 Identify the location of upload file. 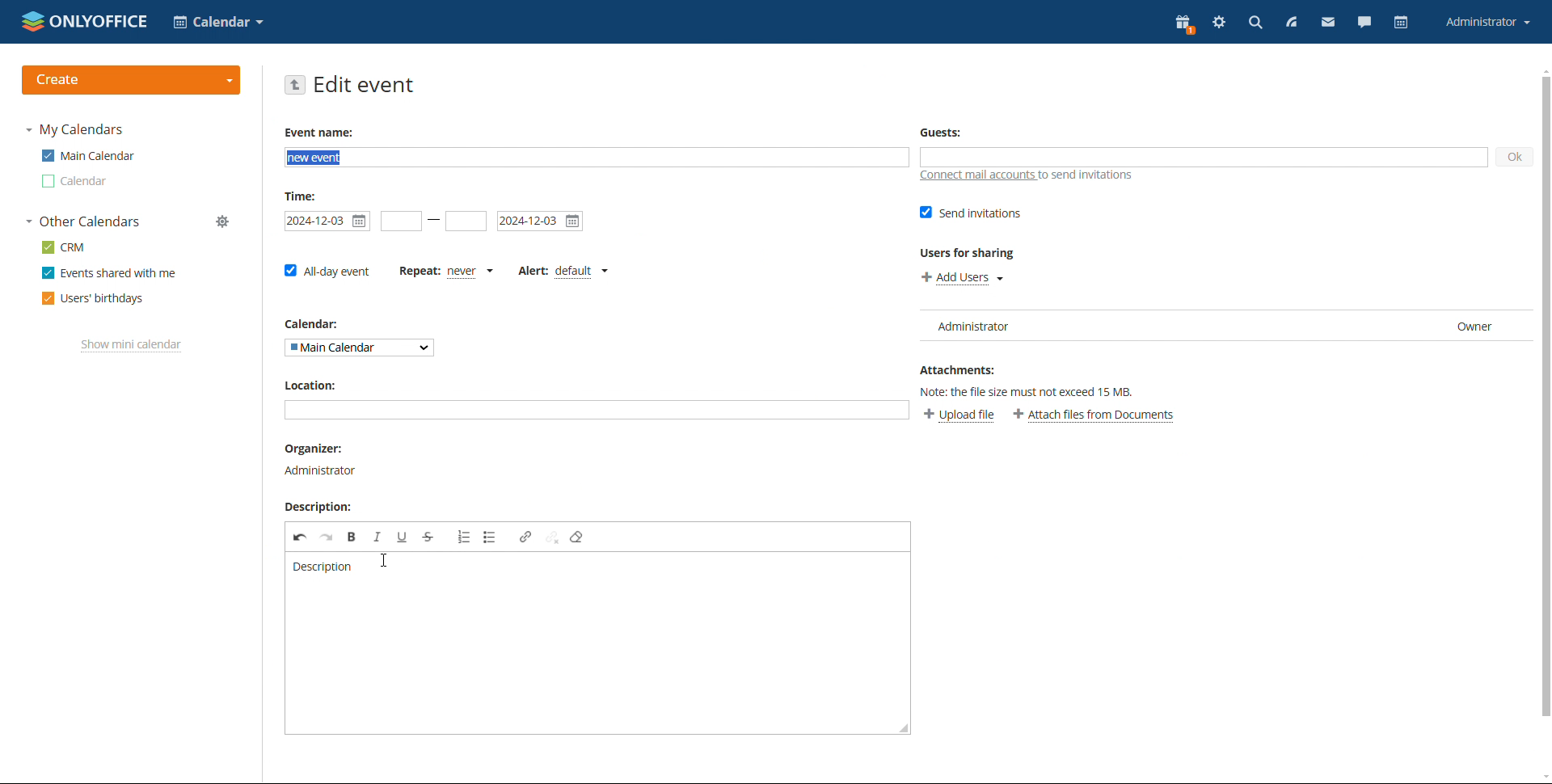
(959, 415).